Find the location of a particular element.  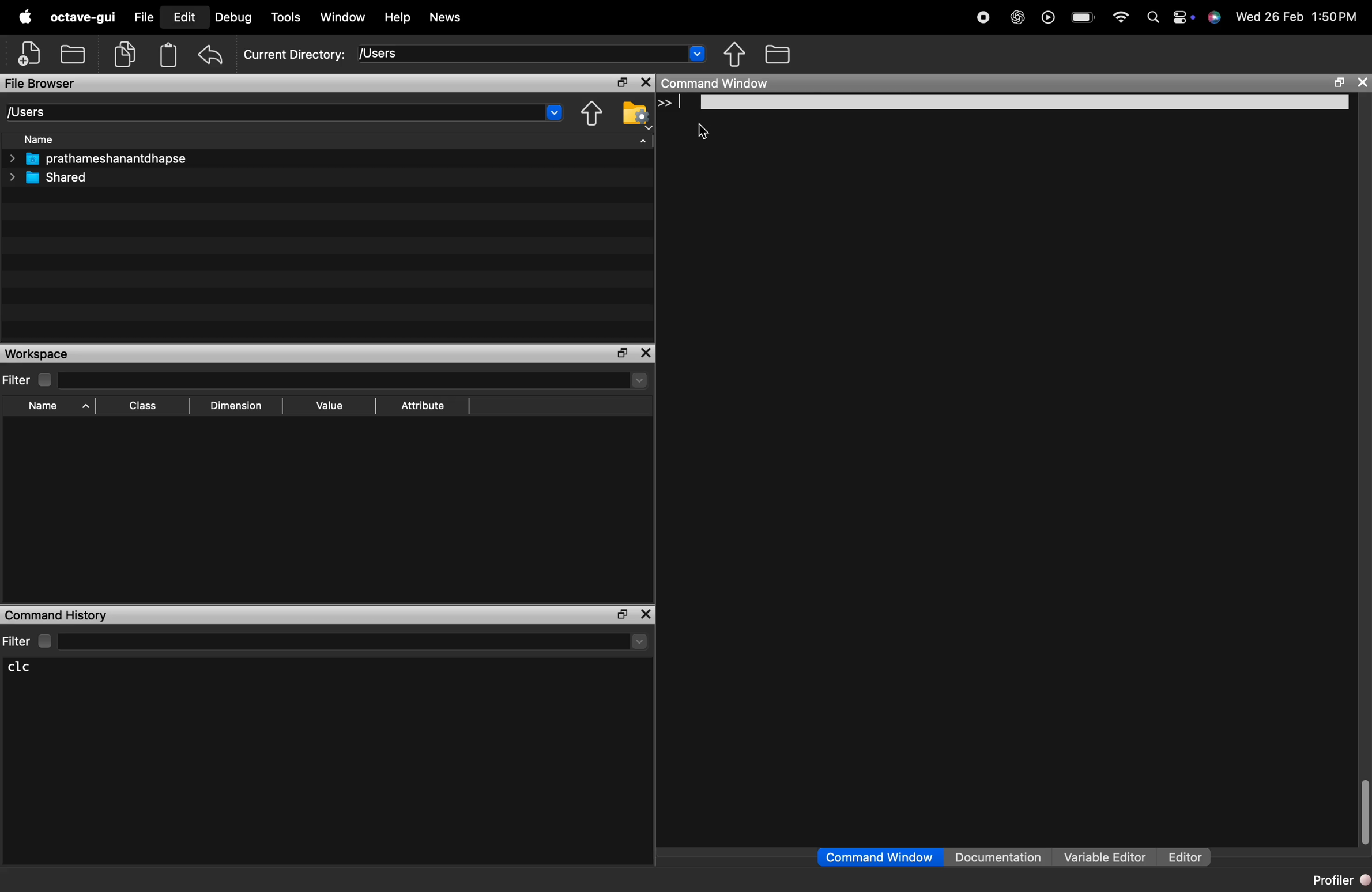

Edit is located at coordinates (184, 17).